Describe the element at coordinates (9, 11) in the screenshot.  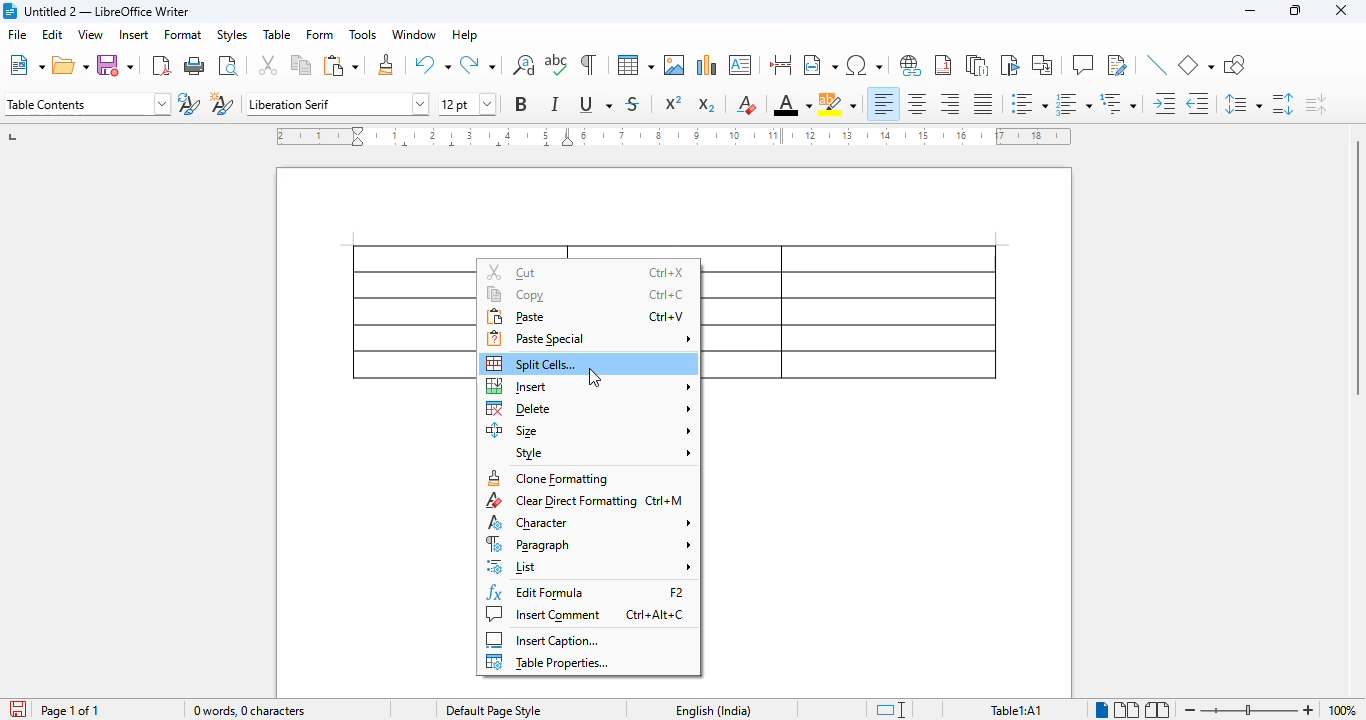
I see `logo` at that location.